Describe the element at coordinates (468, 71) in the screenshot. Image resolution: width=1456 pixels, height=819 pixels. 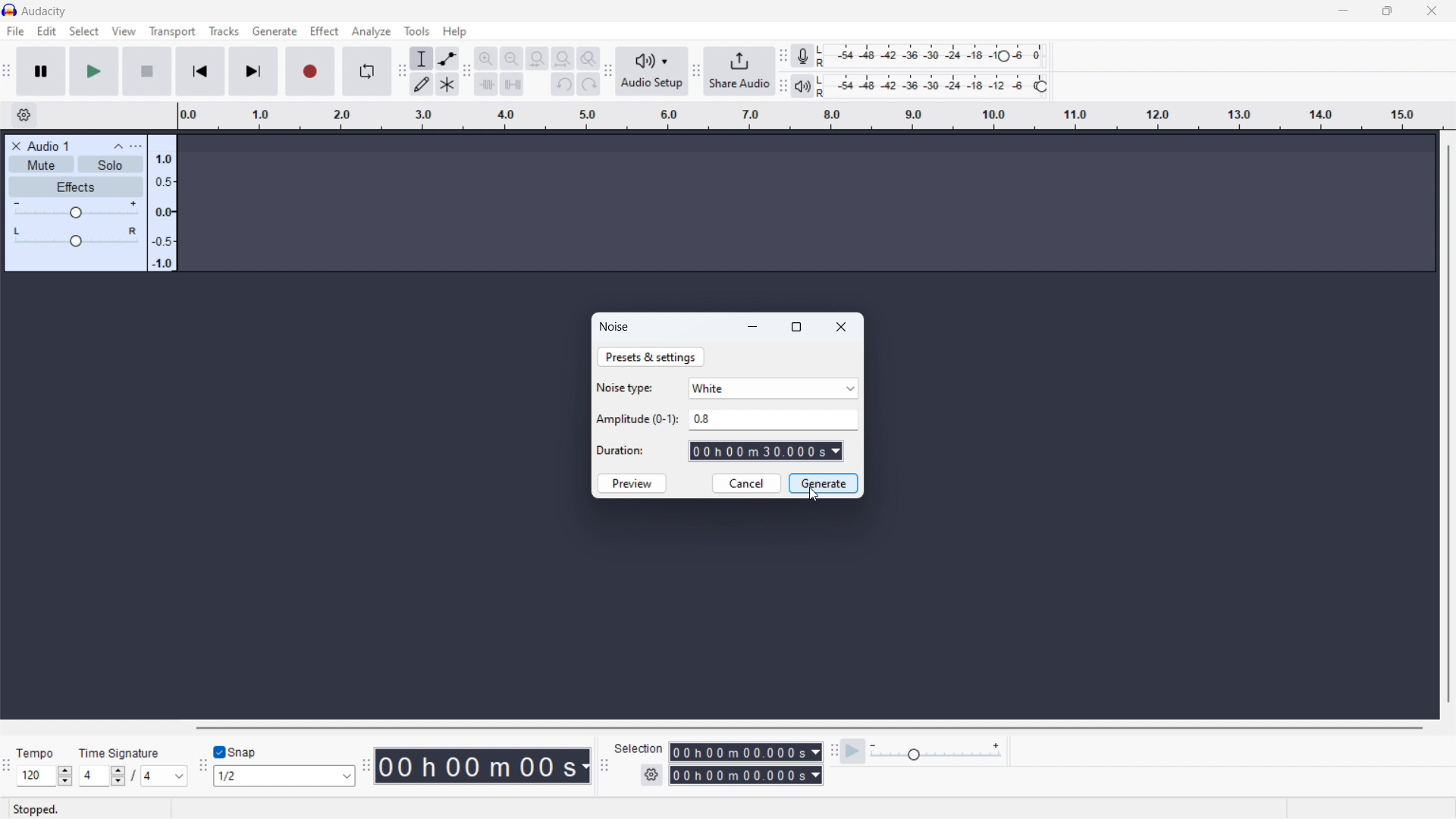
I see `edit toolbar` at that location.